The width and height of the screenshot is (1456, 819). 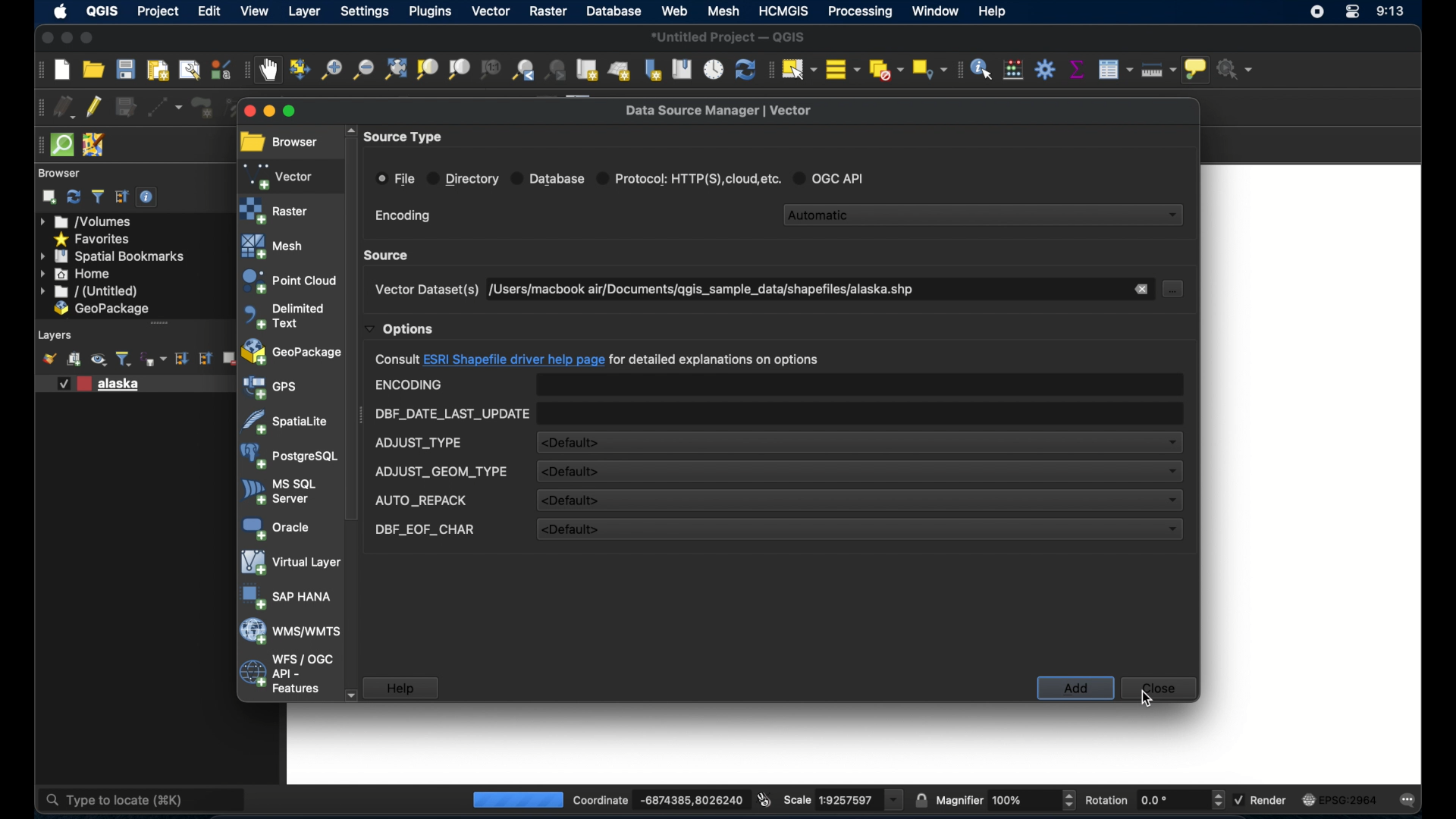 What do you see at coordinates (74, 197) in the screenshot?
I see `refresh` at bounding box center [74, 197].